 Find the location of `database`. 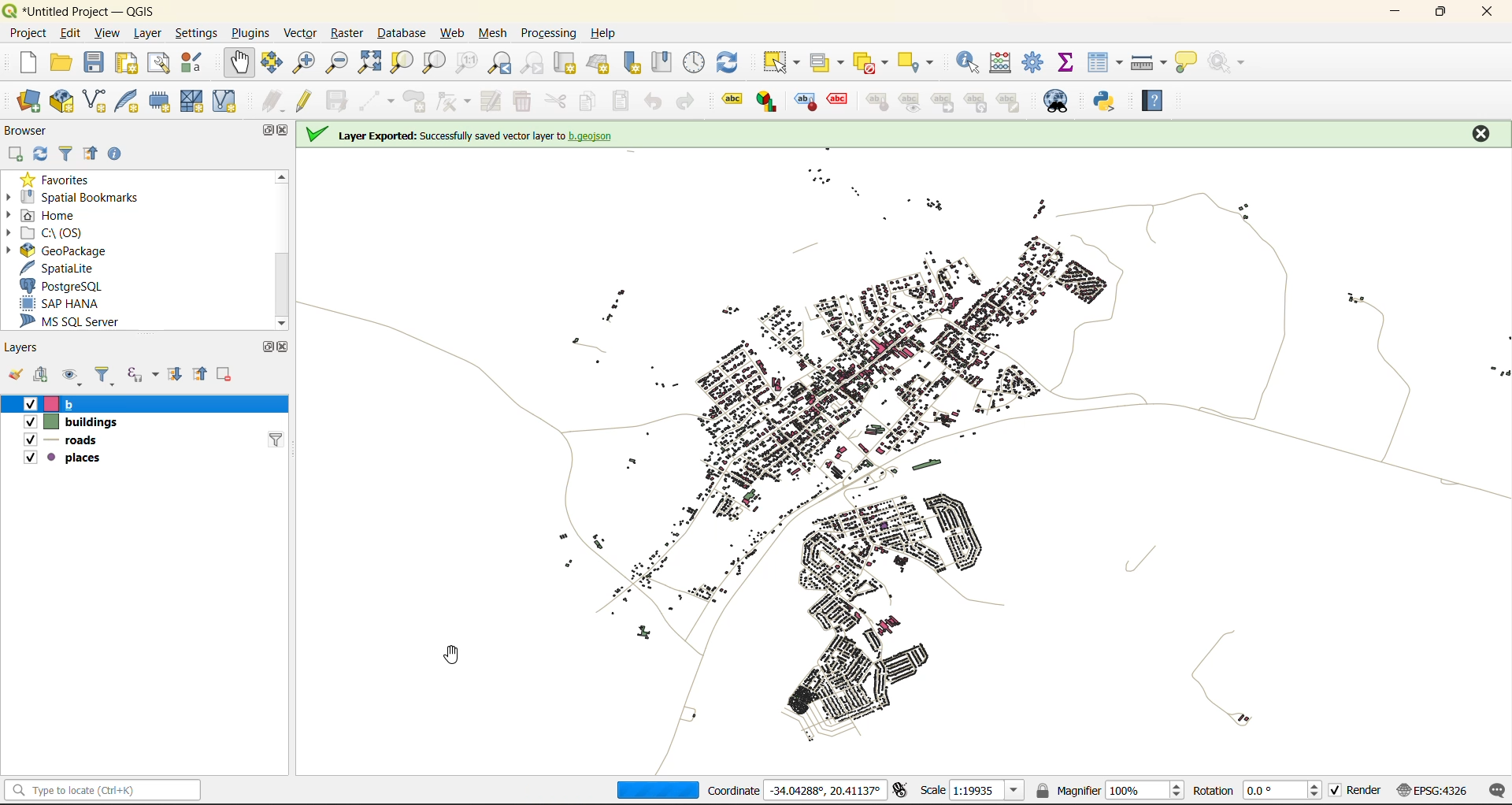

database is located at coordinates (405, 32).